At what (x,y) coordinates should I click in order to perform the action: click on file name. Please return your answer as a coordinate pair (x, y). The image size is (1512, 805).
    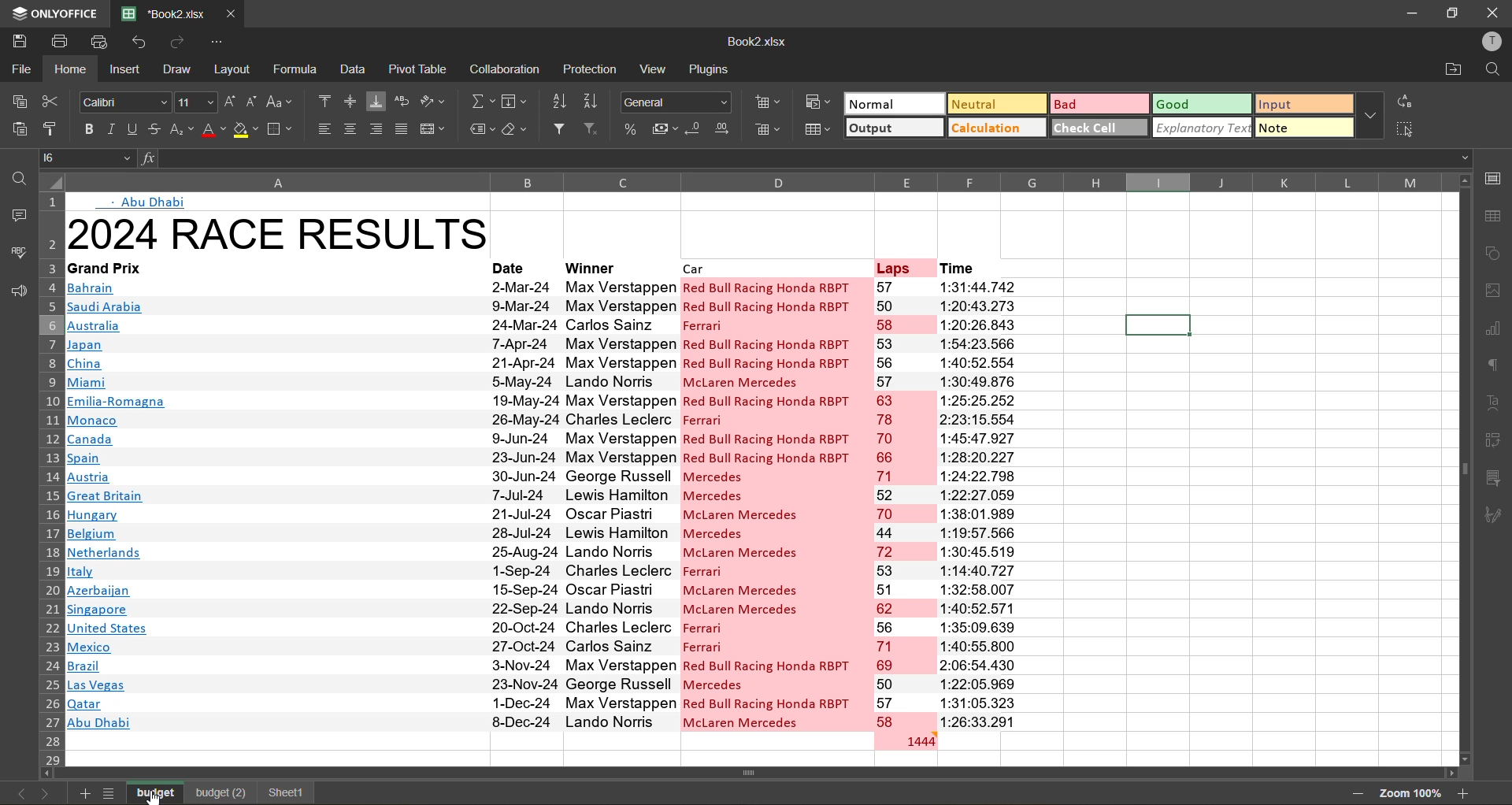
    Looking at the image, I should click on (756, 45).